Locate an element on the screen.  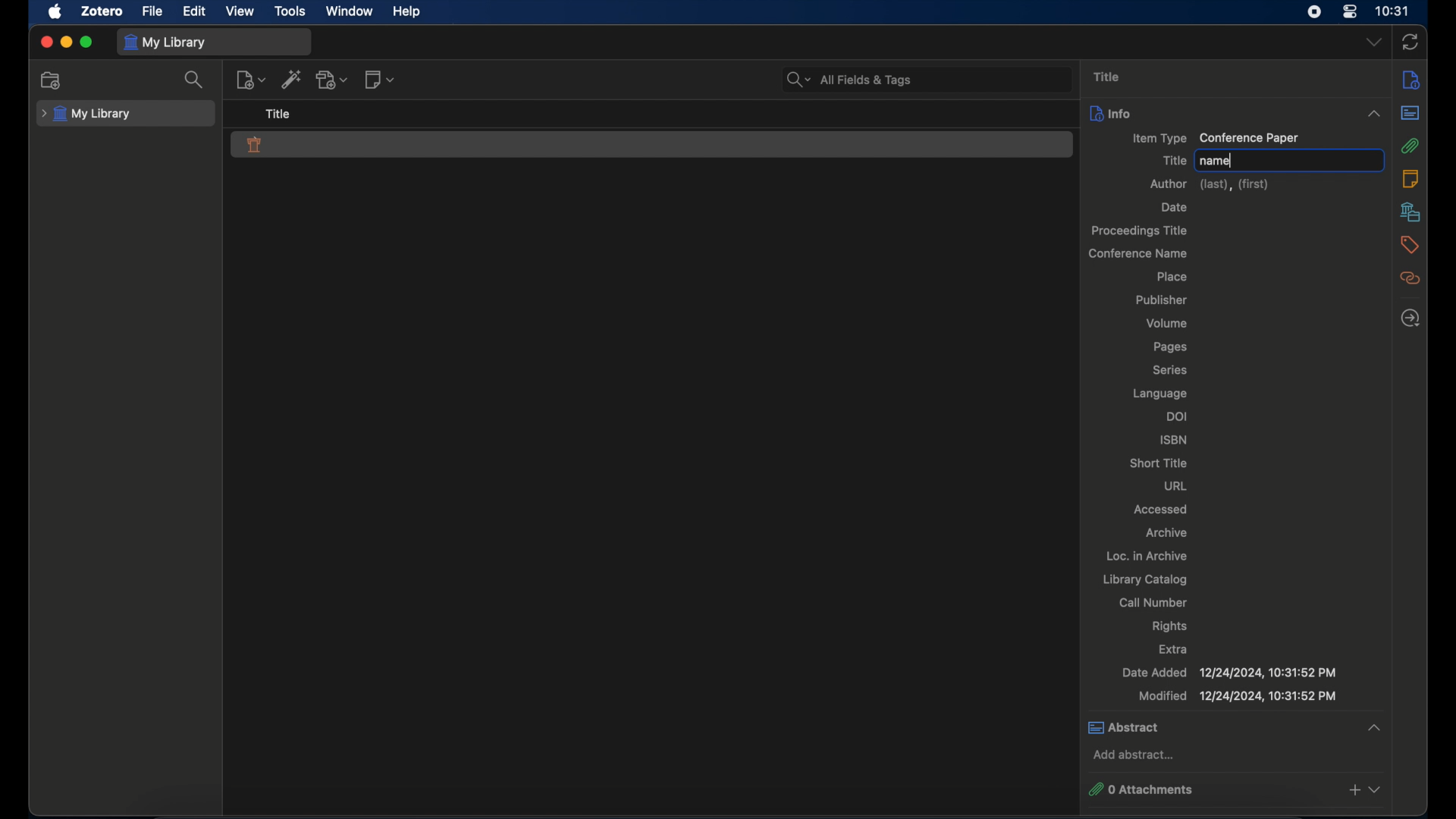
attachments is located at coordinates (1410, 146).